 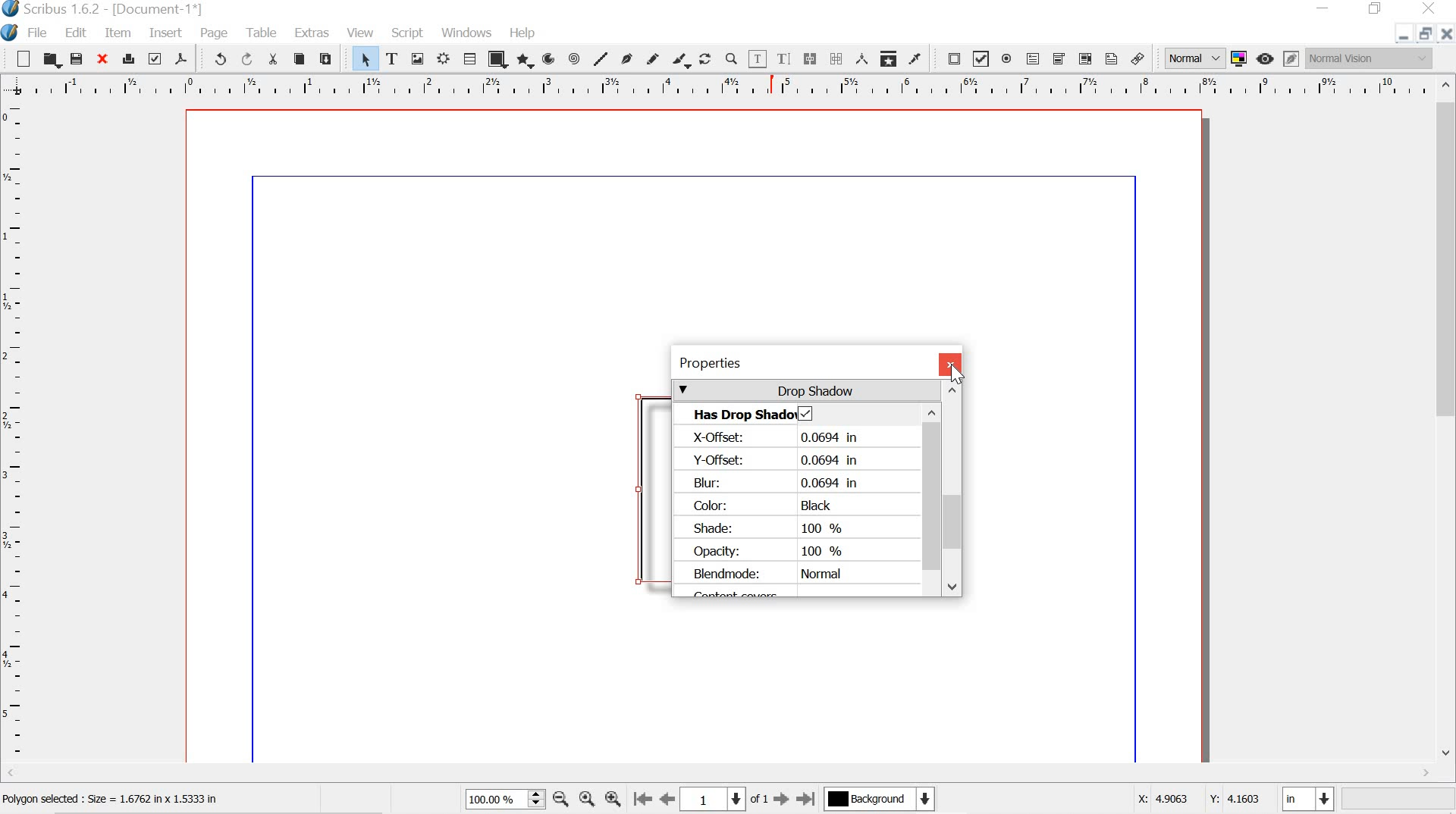 What do you see at coordinates (524, 31) in the screenshot?
I see `HELP` at bounding box center [524, 31].